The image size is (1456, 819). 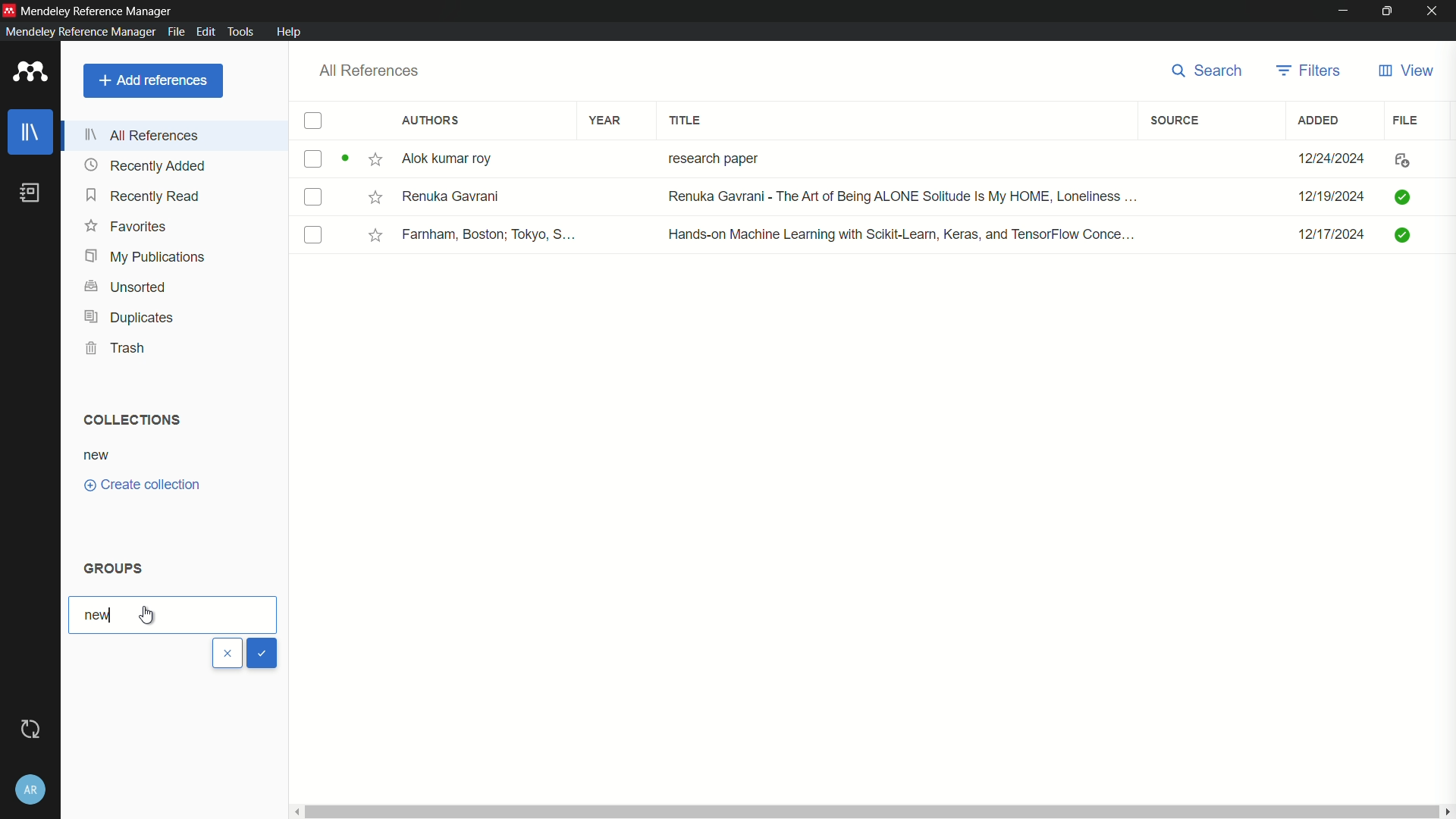 What do you see at coordinates (30, 193) in the screenshot?
I see `book` at bounding box center [30, 193].